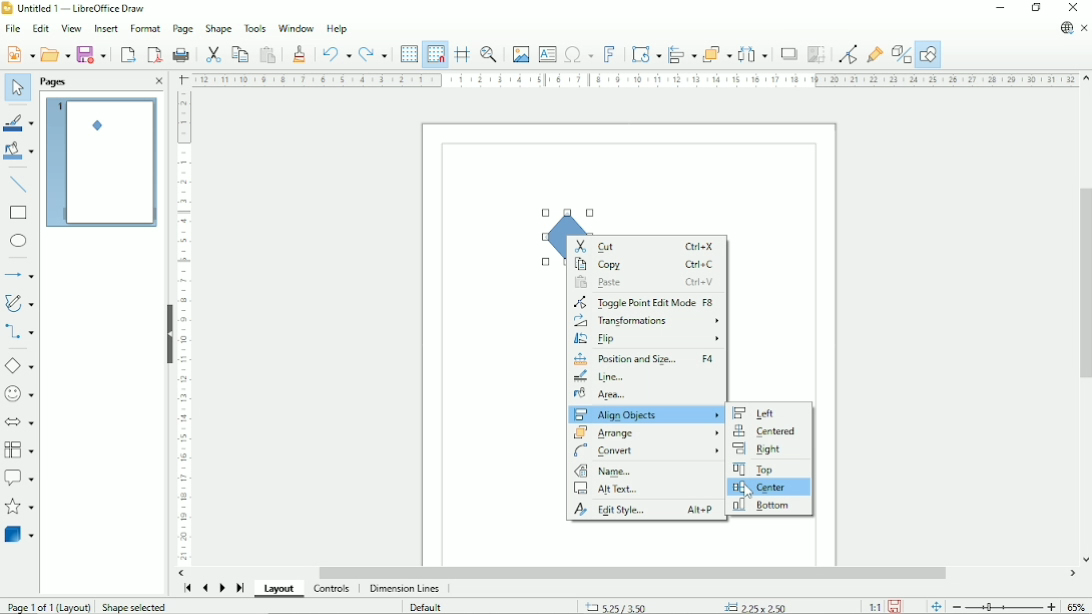  I want to click on Edit style, so click(646, 511).